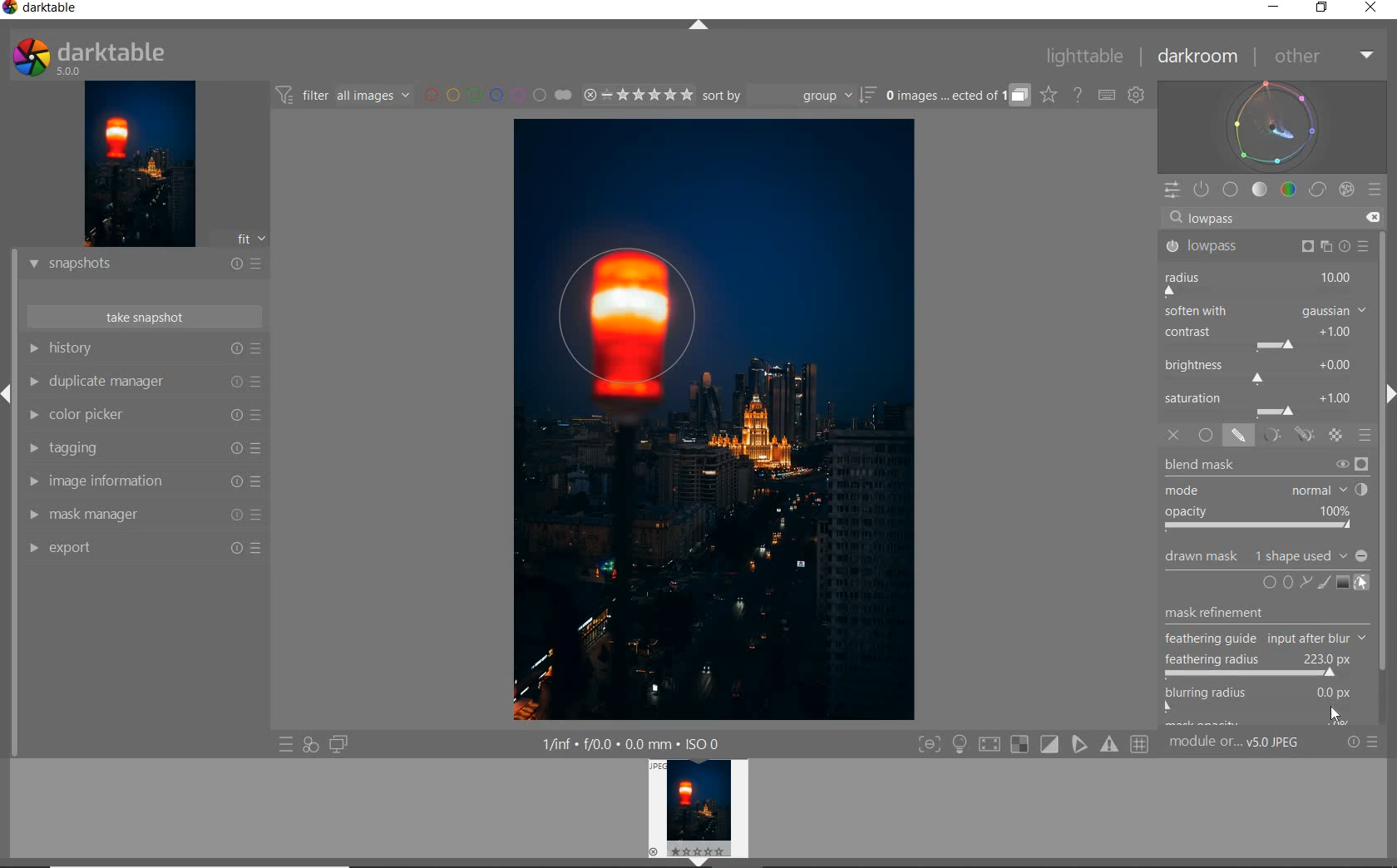  I want to click on BASE, so click(1232, 190).